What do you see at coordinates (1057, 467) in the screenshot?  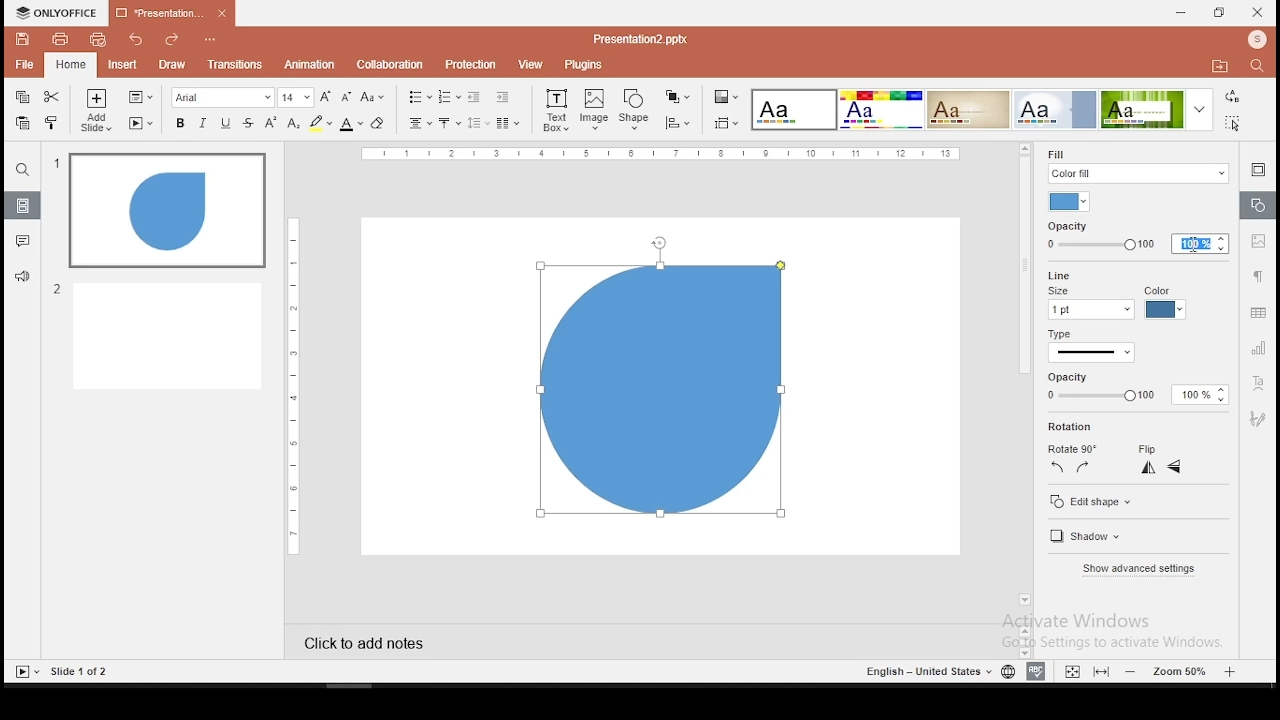 I see `left` at bounding box center [1057, 467].